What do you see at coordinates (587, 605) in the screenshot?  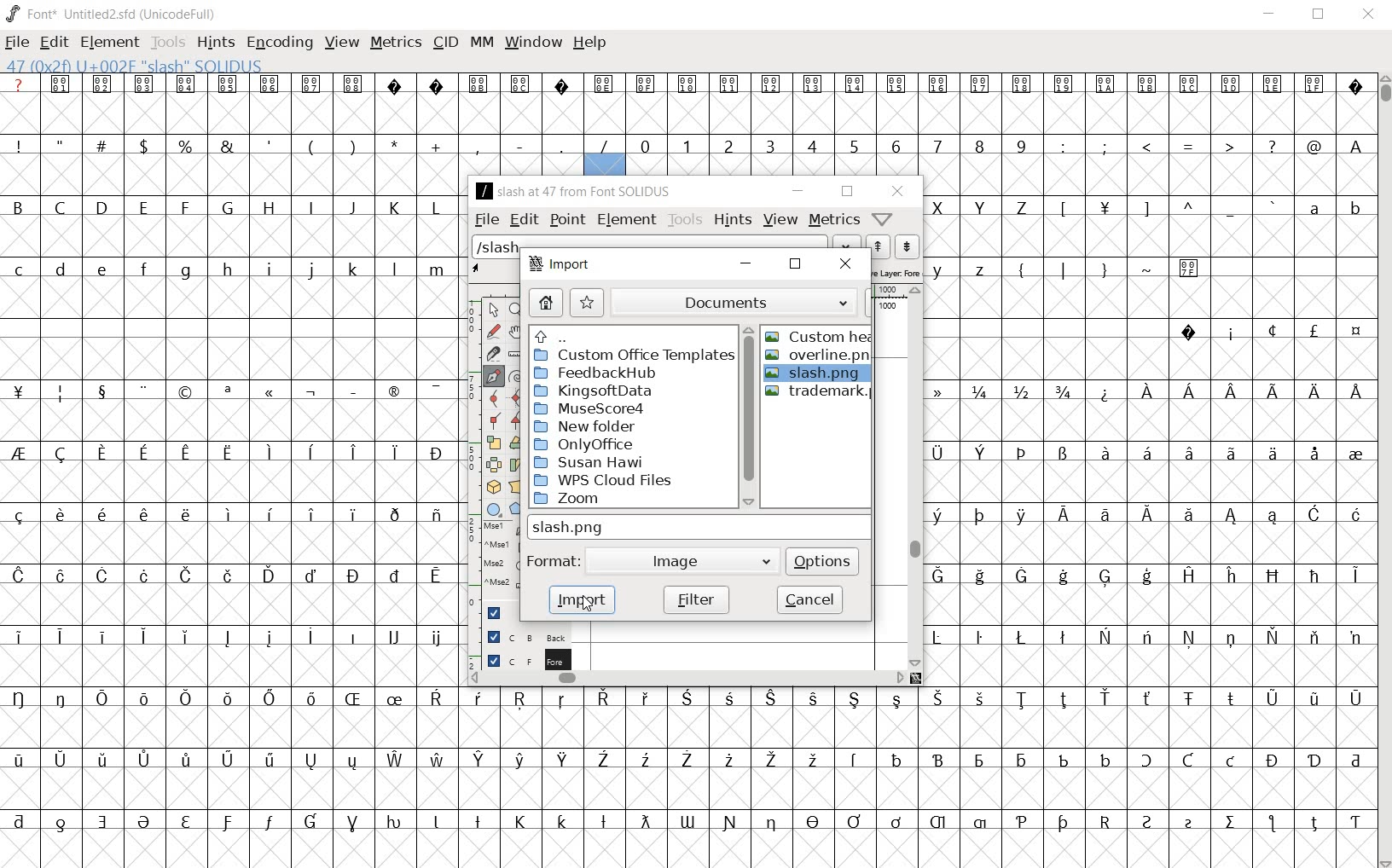 I see `cursor` at bounding box center [587, 605].